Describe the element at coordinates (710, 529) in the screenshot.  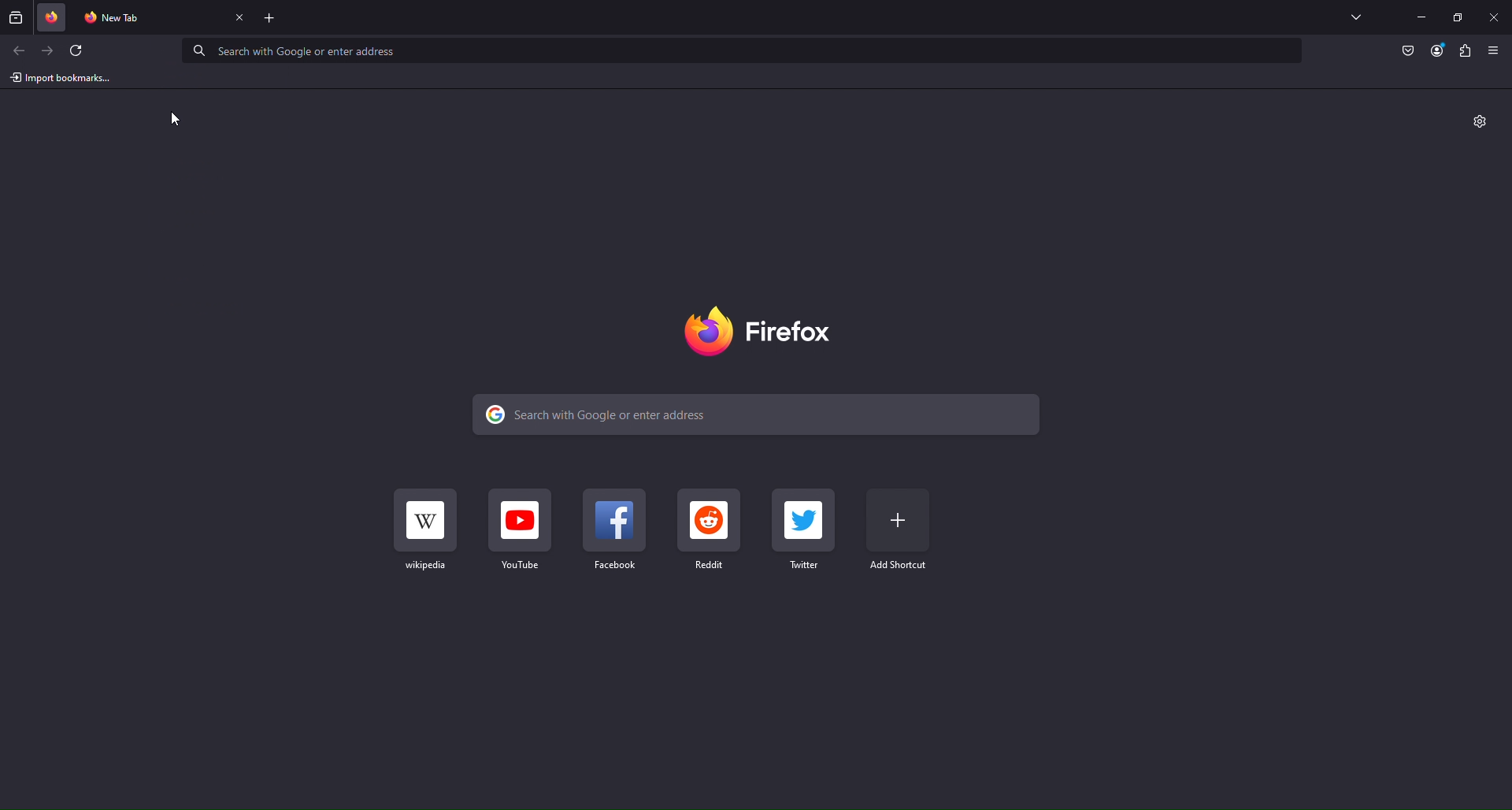
I see `Reddit Shortcut` at that location.